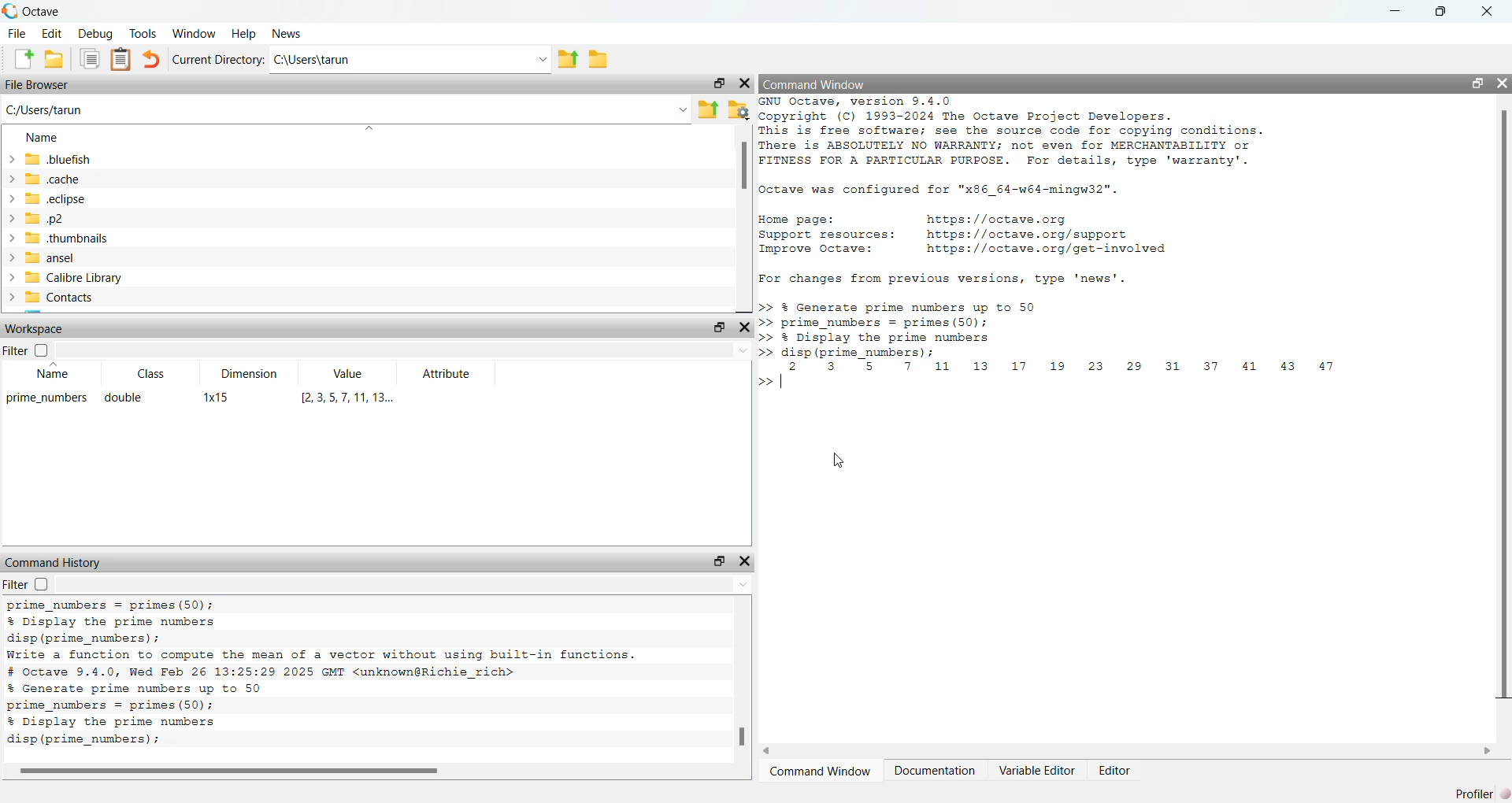 The image size is (1512, 803). Describe the element at coordinates (744, 166) in the screenshot. I see `scroll bar` at that location.